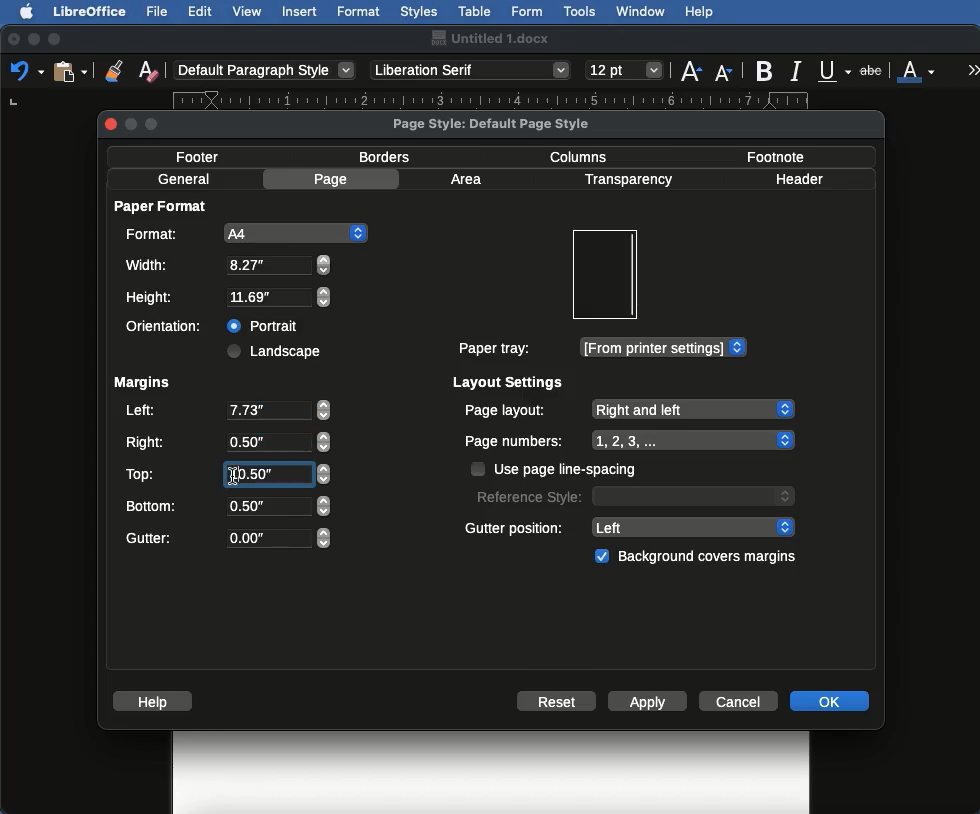 The width and height of the screenshot is (980, 814). What do you see at coordinates (233, 477) in the screenshot?
I see `` at bounding box center [233, 477].